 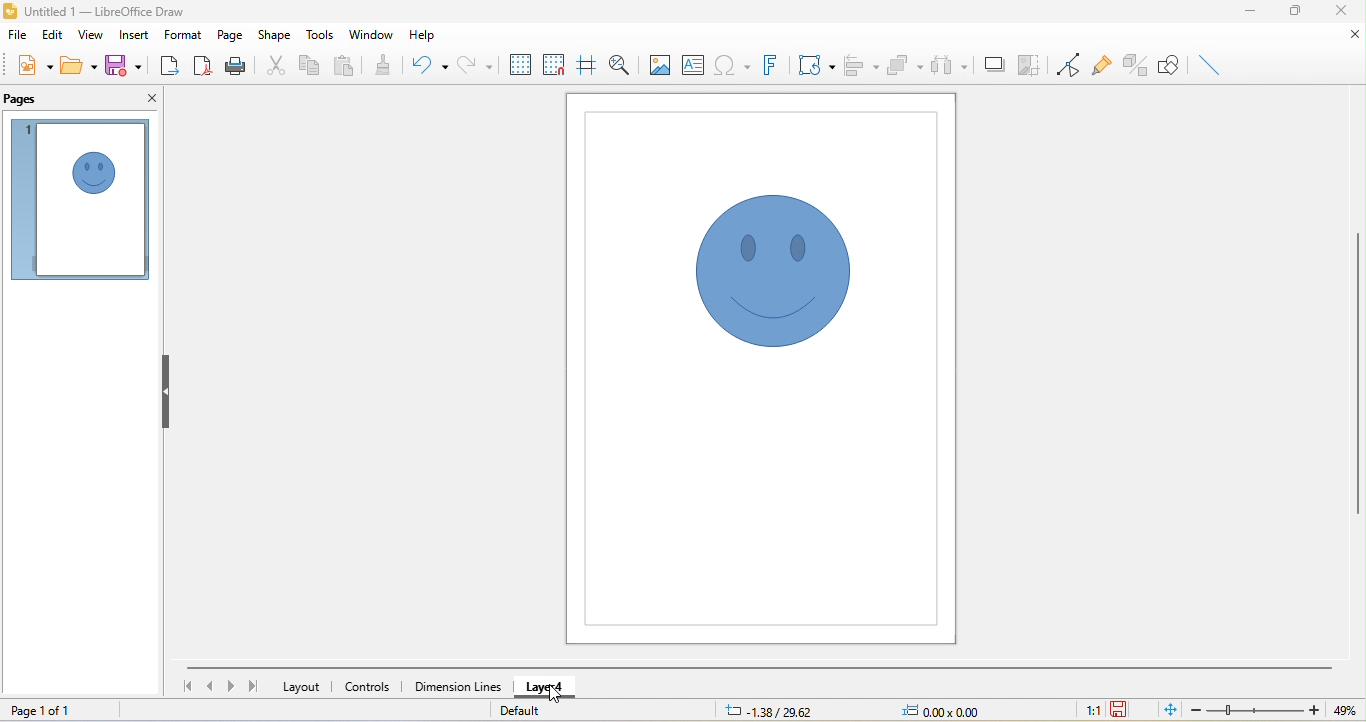 What do you see at coordinates (761, 667) in the screenshot?
I see `horizontal scroll bar` at bounding box center [761, 667].